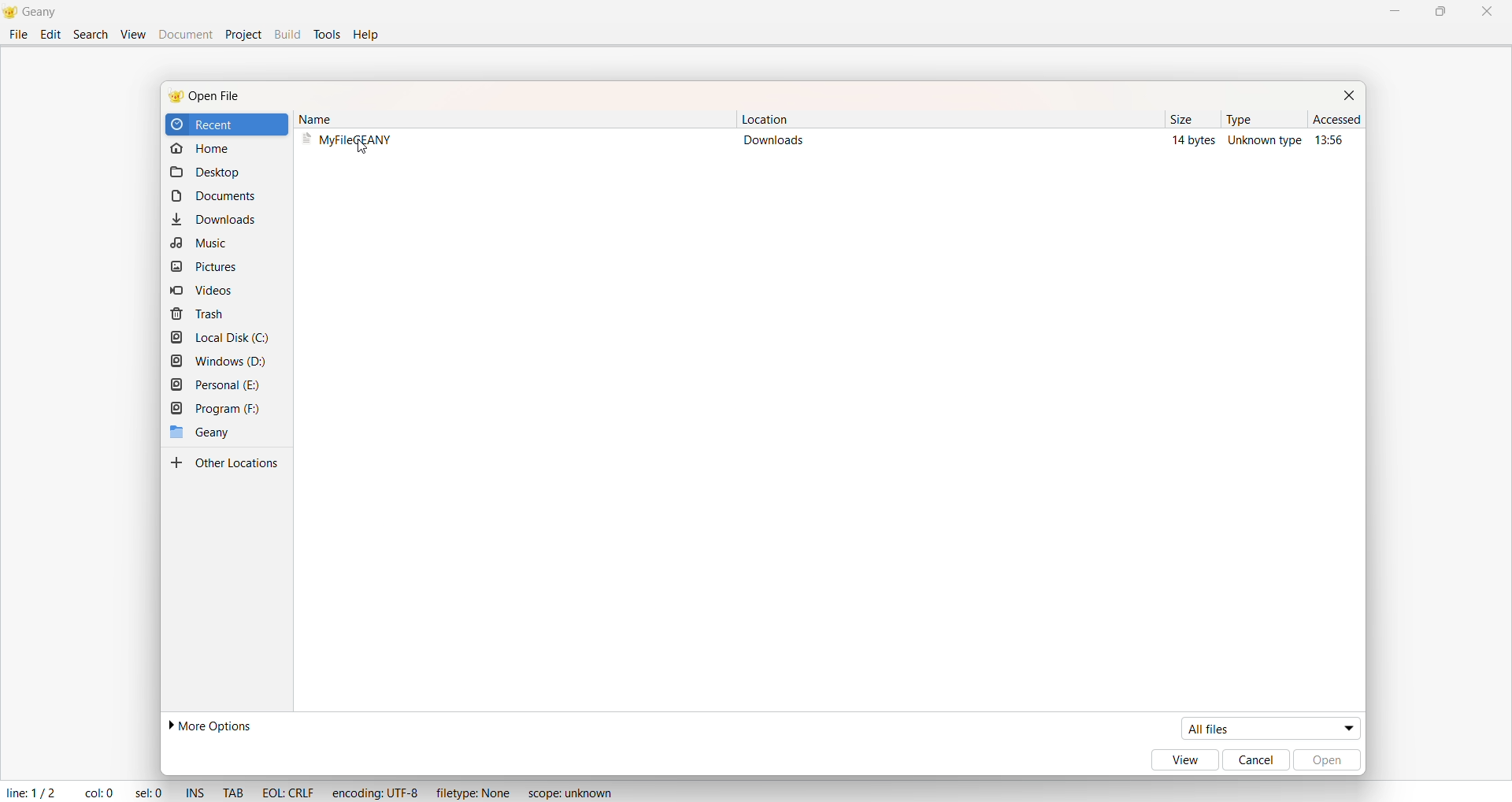  What do you see at coordinates (285, 793) in the screenshot?
I see `EOL : CRLF` at bounding box center [285, 793].